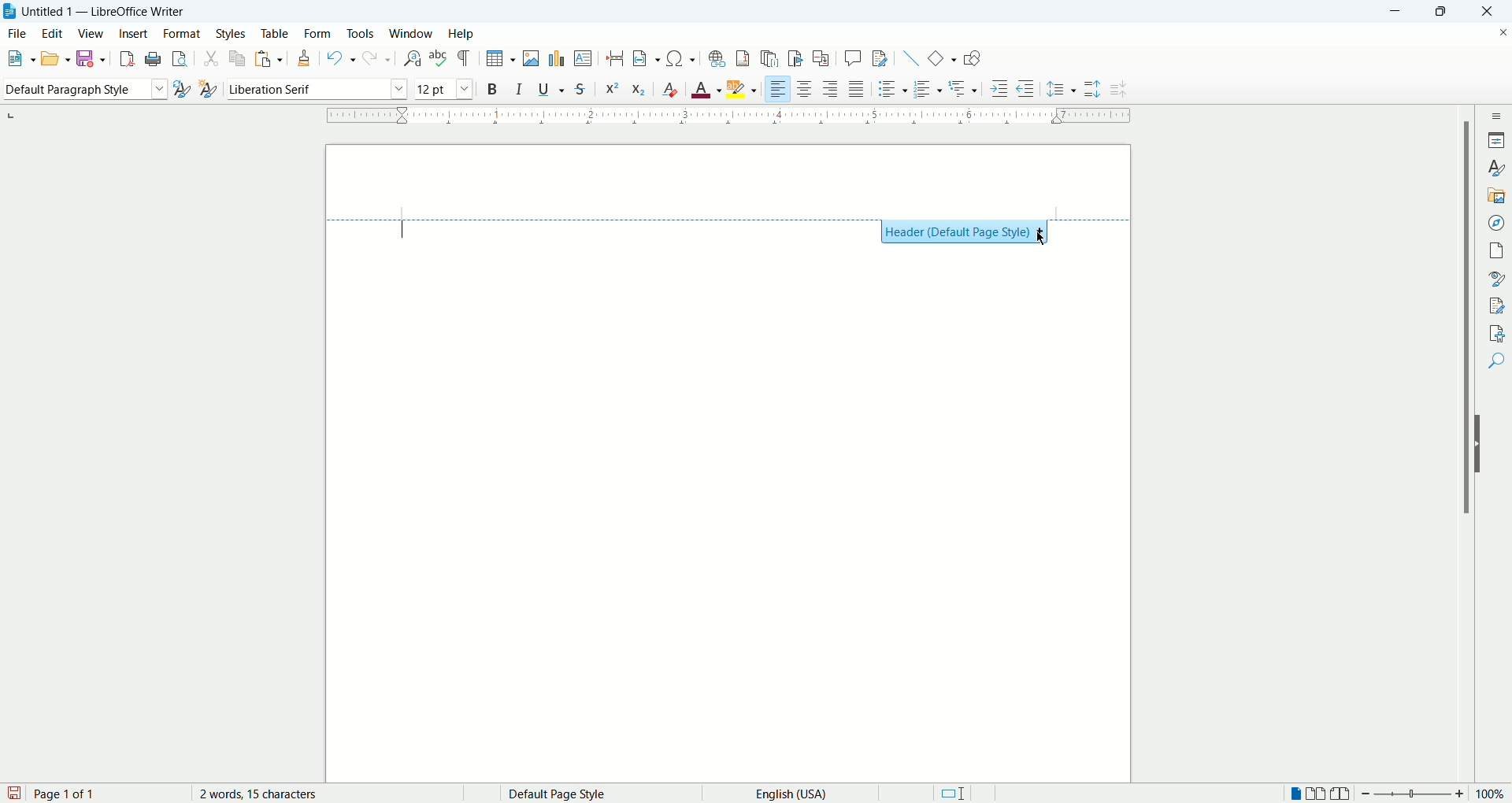 The image size is (1512, 803). I want to click on zoom bar, so click(1414, 794).